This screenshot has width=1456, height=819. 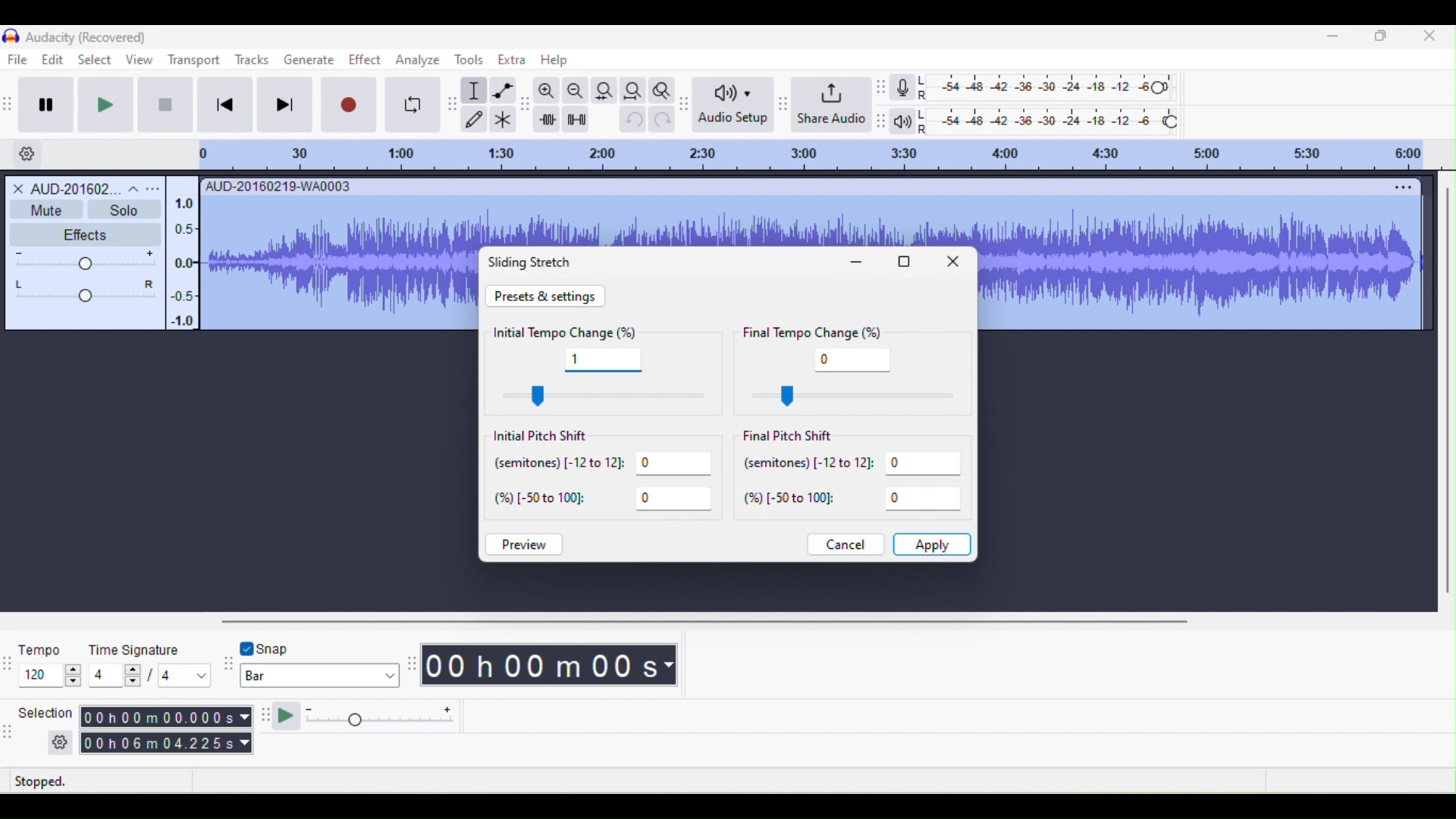 I want to click on icon, so click(x=10, y=37).